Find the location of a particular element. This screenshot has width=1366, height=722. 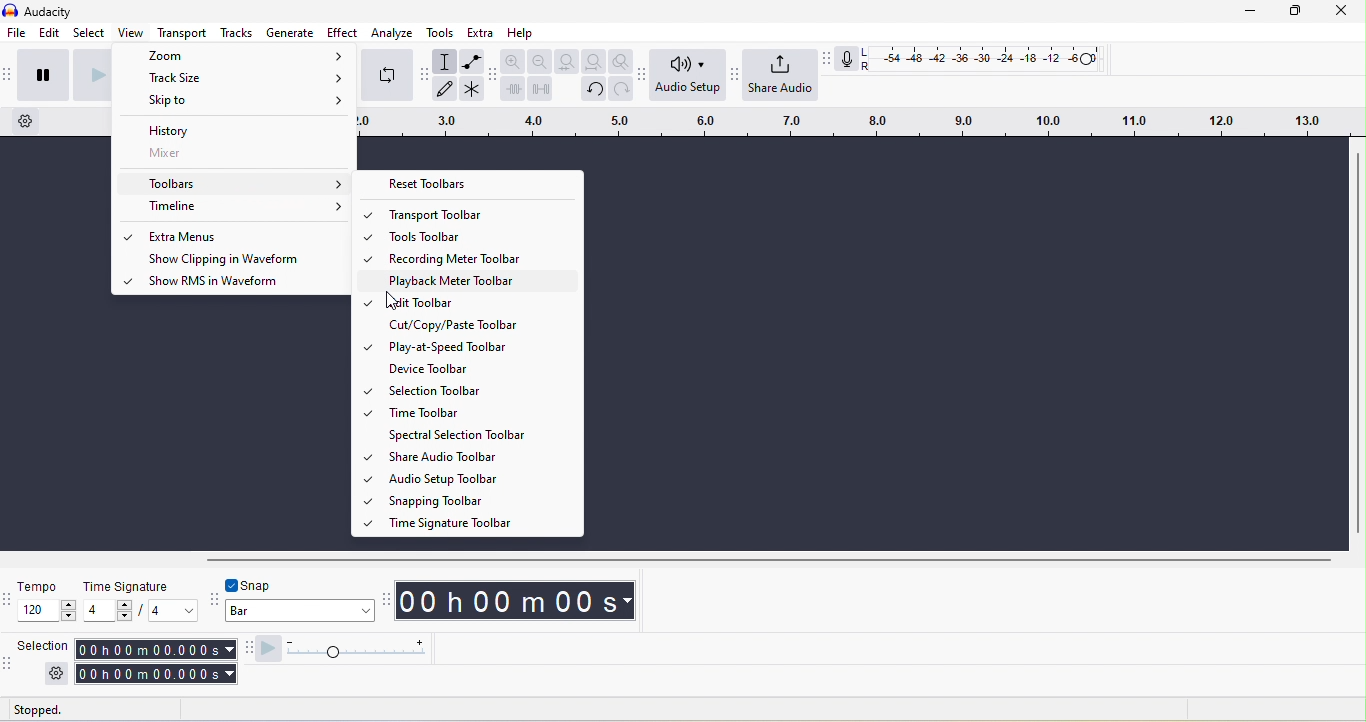

minimize is located at coordinates (1250, 11).